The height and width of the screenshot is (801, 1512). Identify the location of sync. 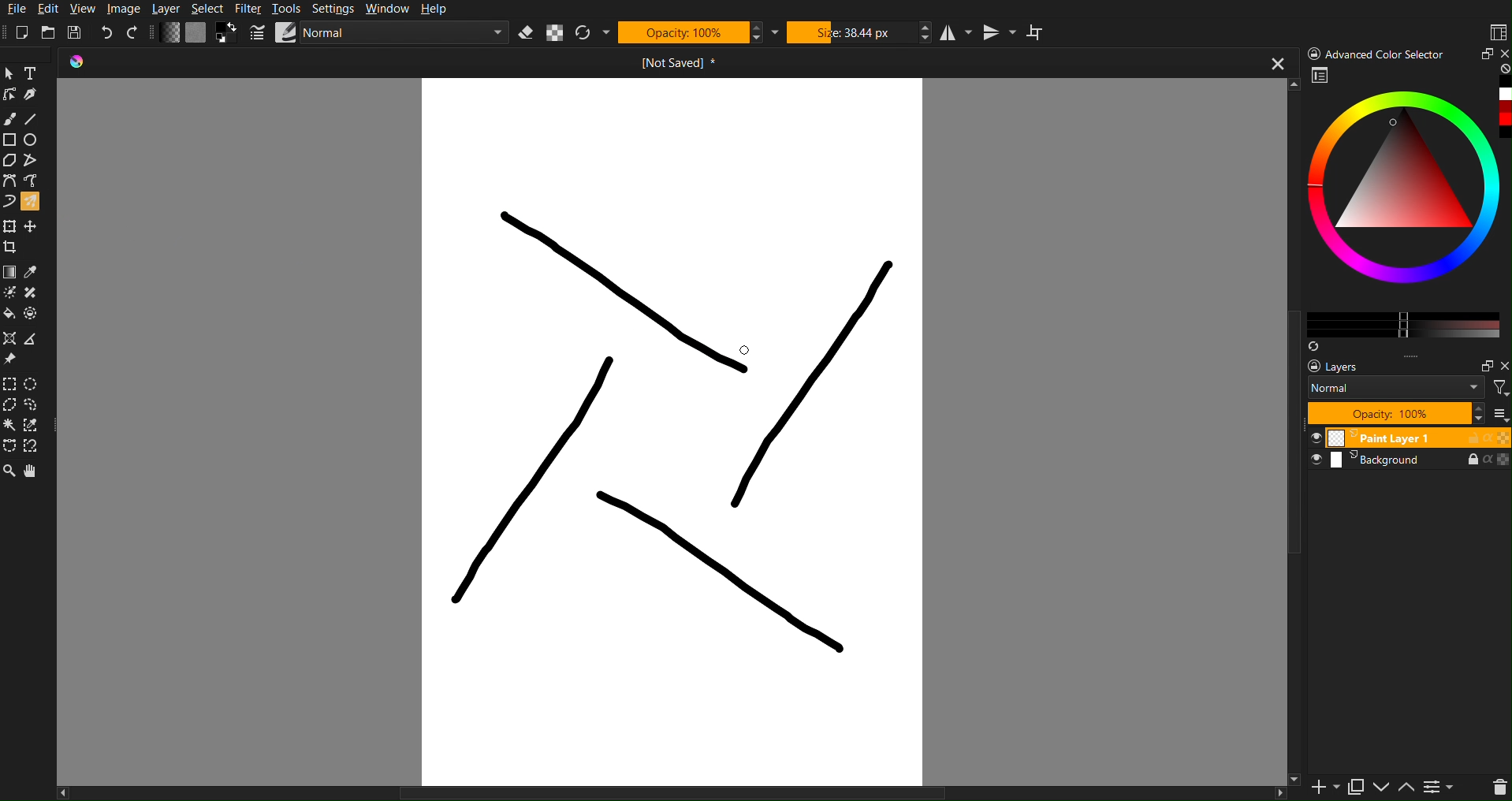
(1313, 343).